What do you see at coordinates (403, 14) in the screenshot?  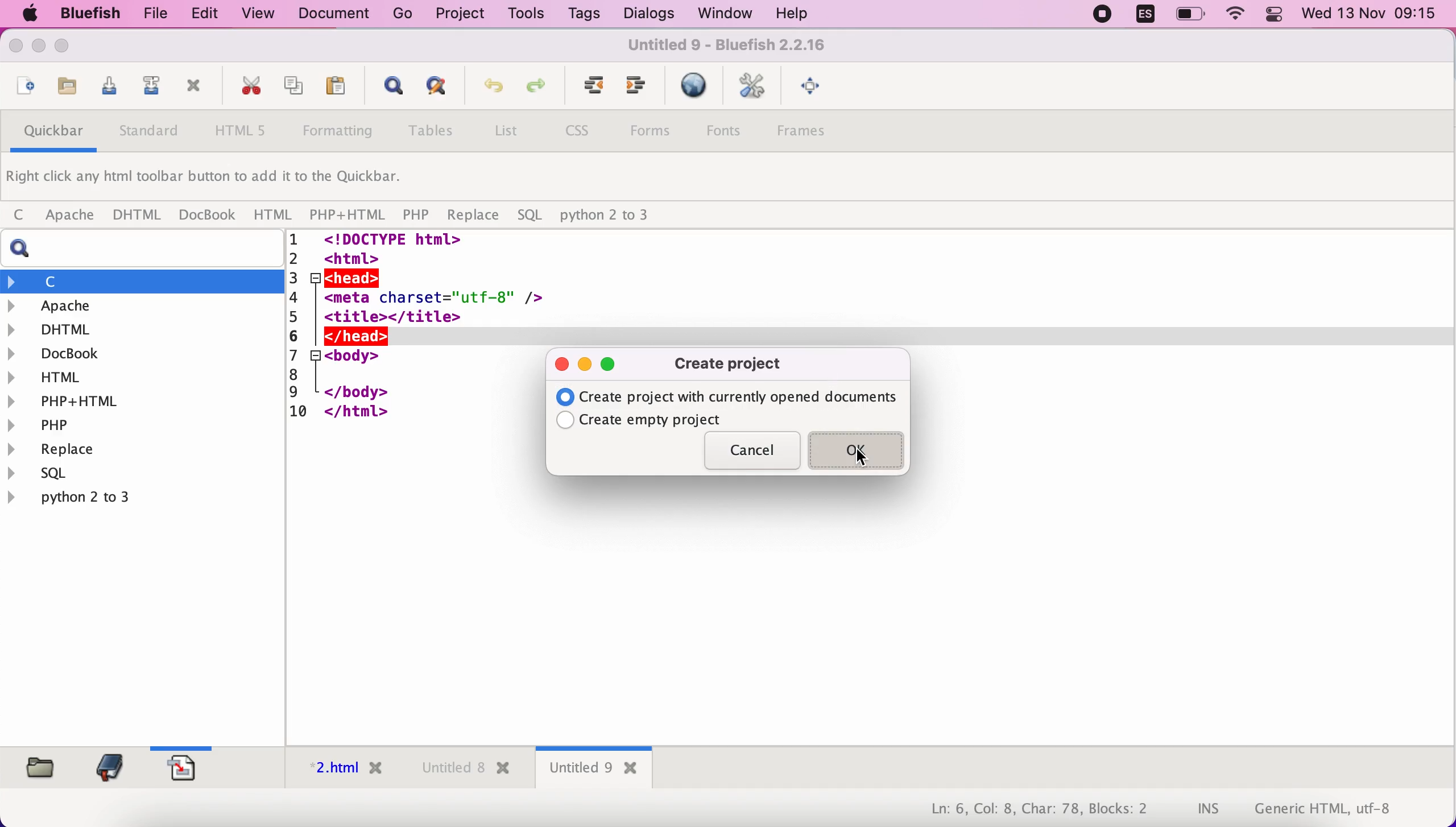 I see `go` at bounding box center [403, 14].